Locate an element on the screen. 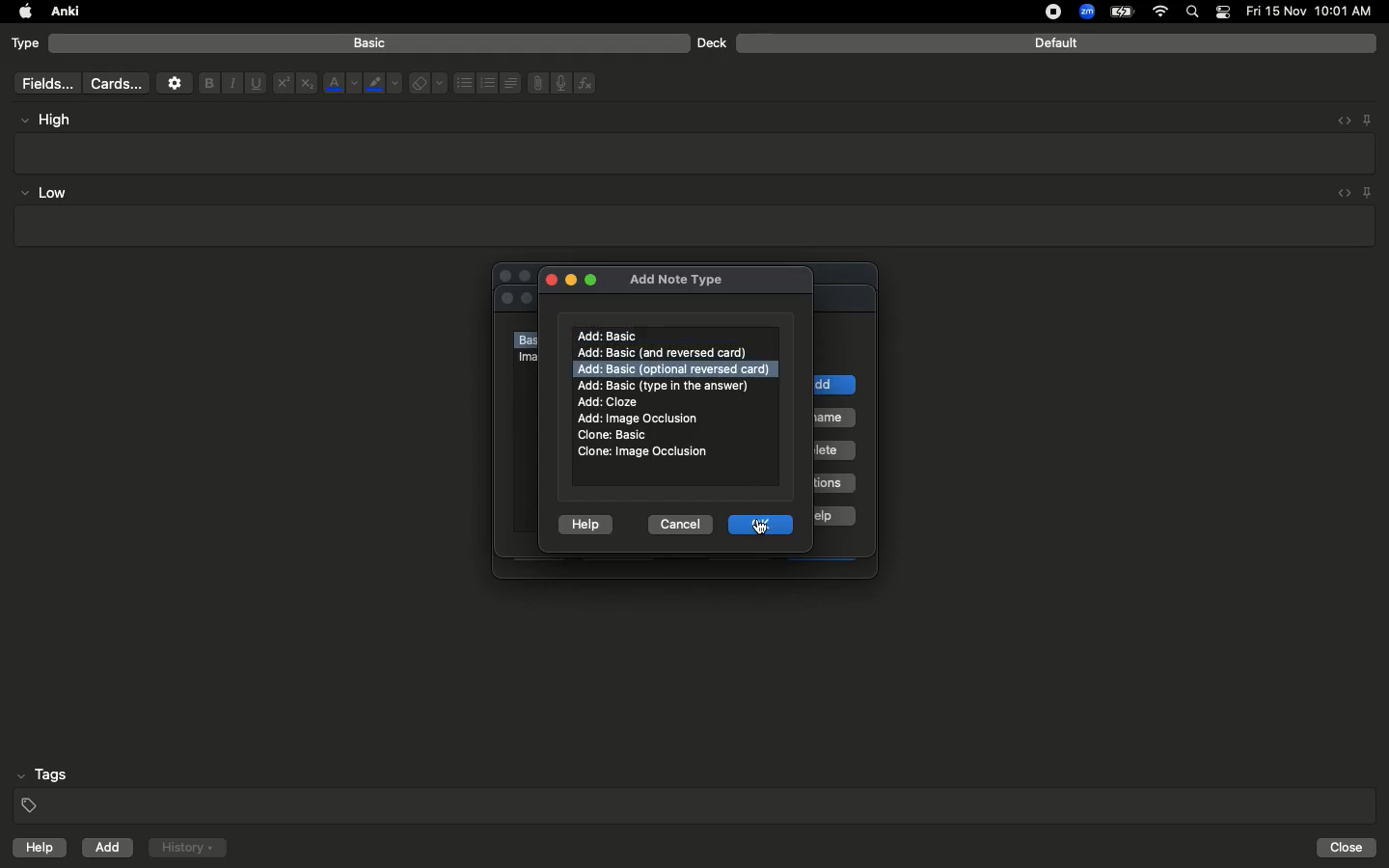 The height and width of the screenshot is (868, 1389). apple logo is located at coordinates (20, 12).